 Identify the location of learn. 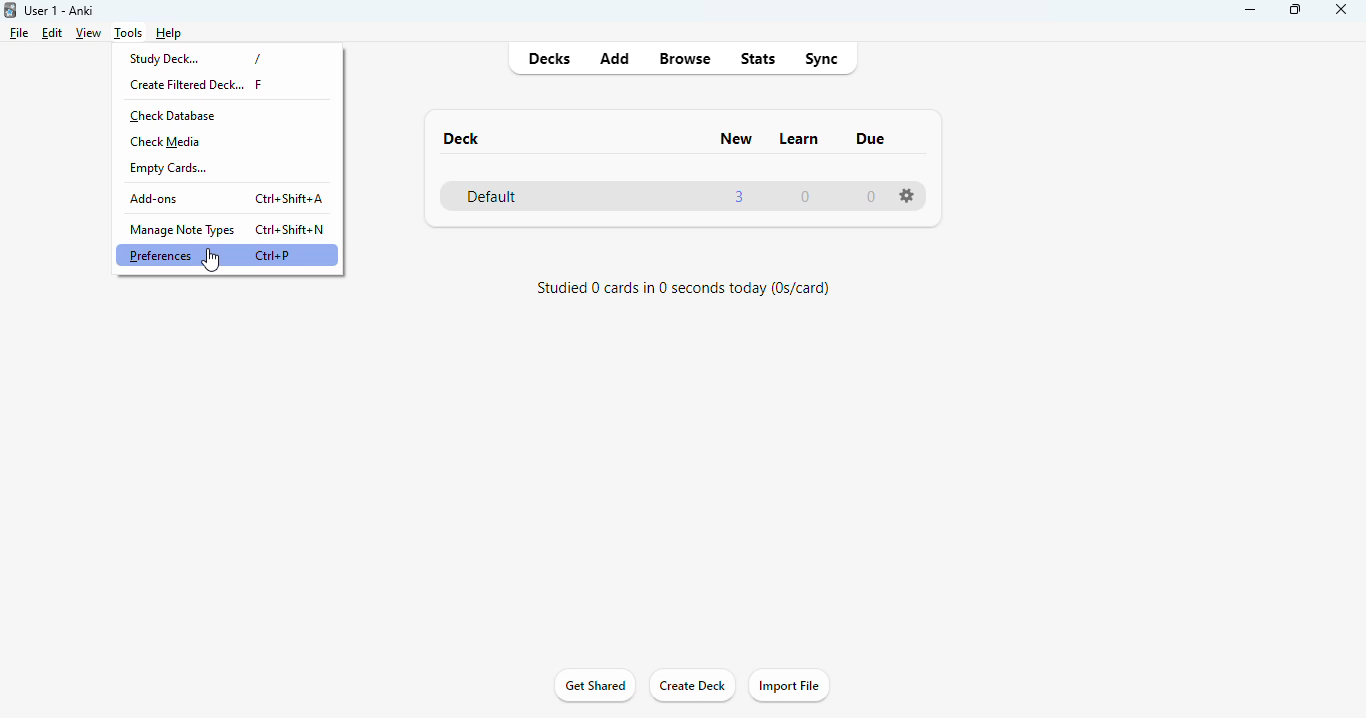
(800, 139).